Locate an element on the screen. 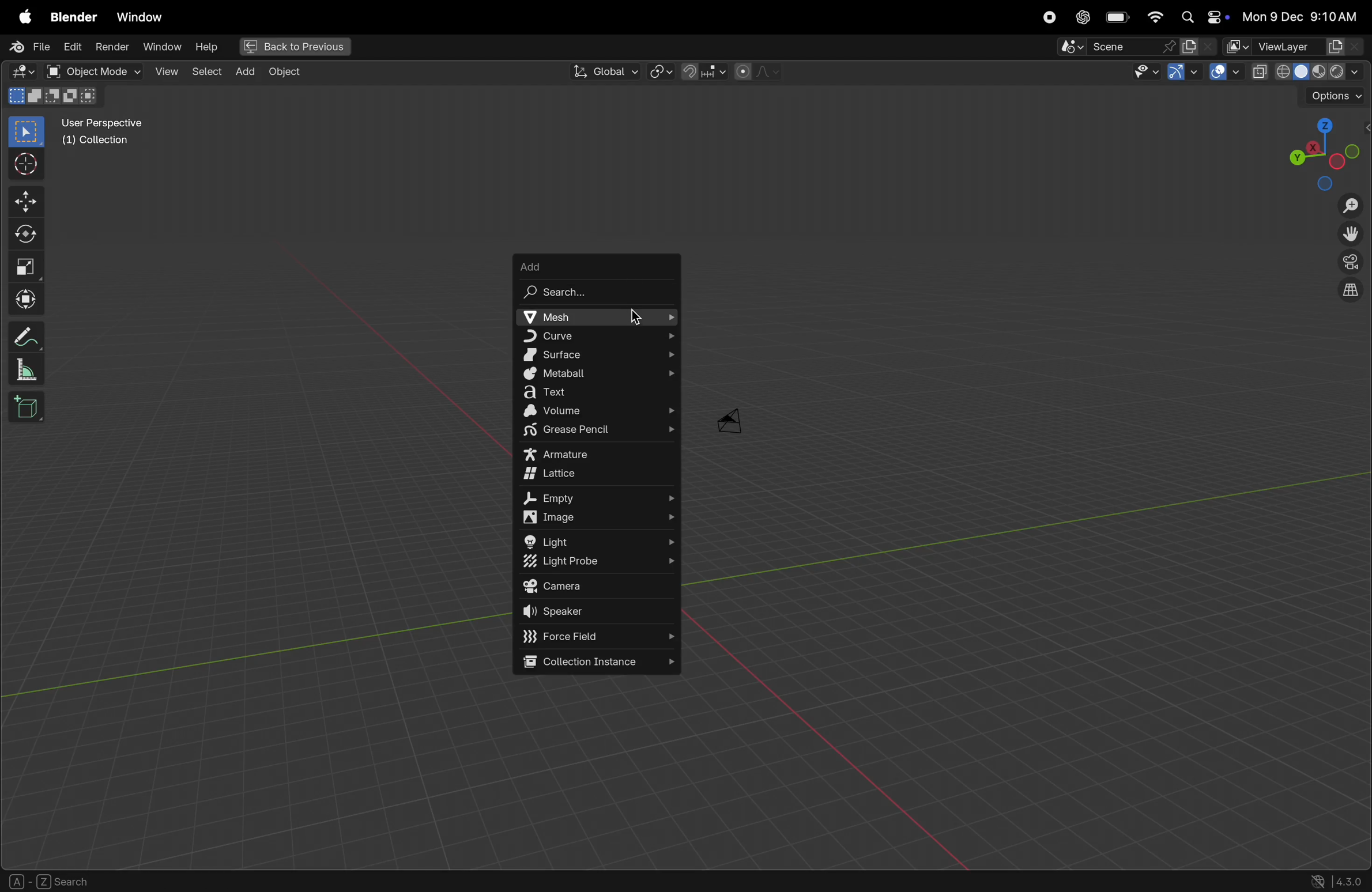 Image resolution: width=1372 pixels, height=892 pixels. camera is located at coordinates (738, 418).